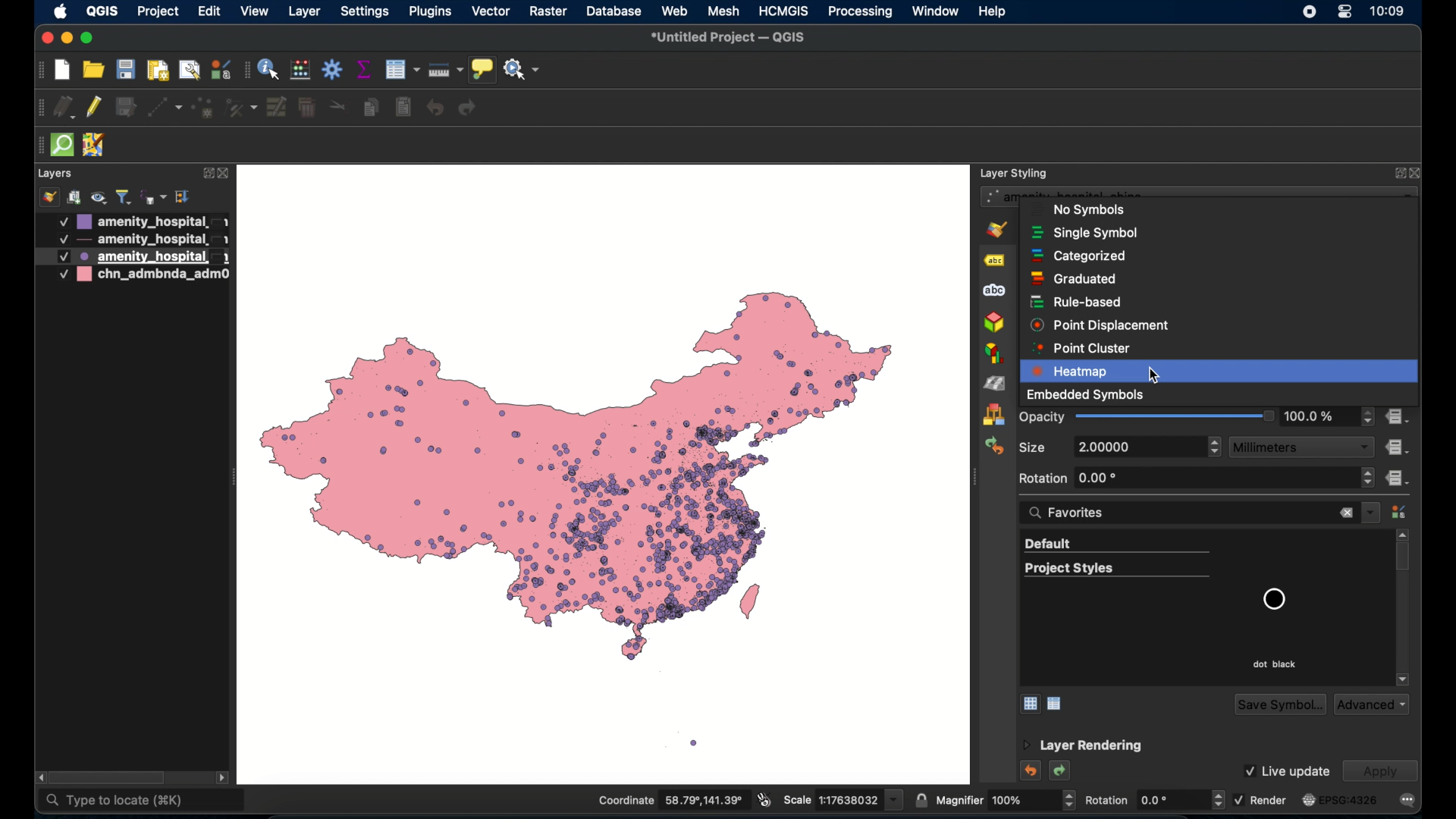 This screenshot has width=1456, height=819. Describe the element at coordinates (994, 353) in the screenshot. I see `diagrams` at that location.